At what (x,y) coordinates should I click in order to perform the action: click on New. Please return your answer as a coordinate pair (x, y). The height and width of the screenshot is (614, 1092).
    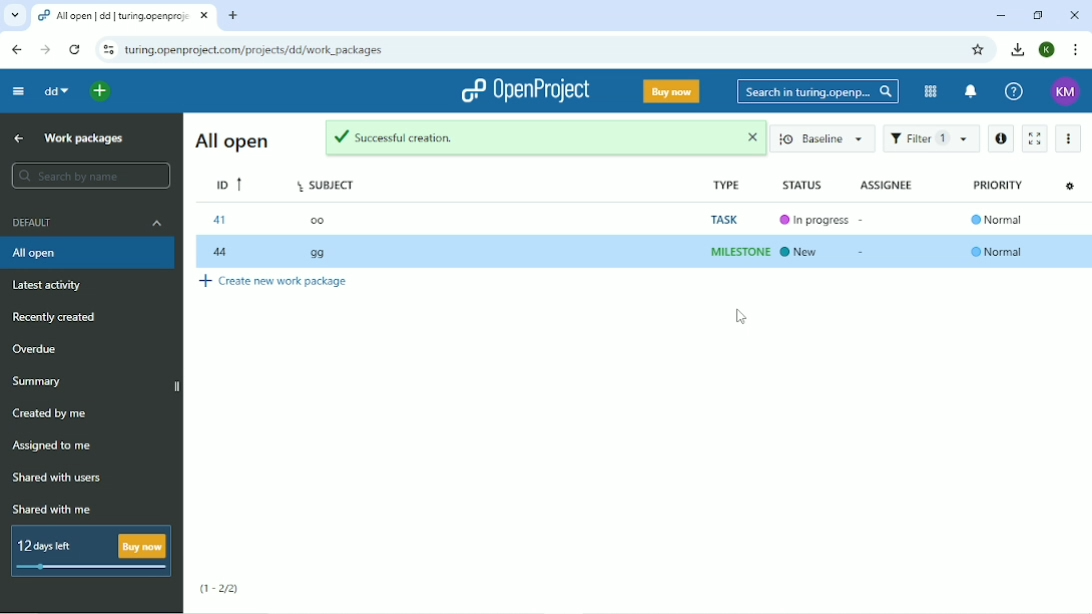
    Looking at the image, I should click on (807, 252).